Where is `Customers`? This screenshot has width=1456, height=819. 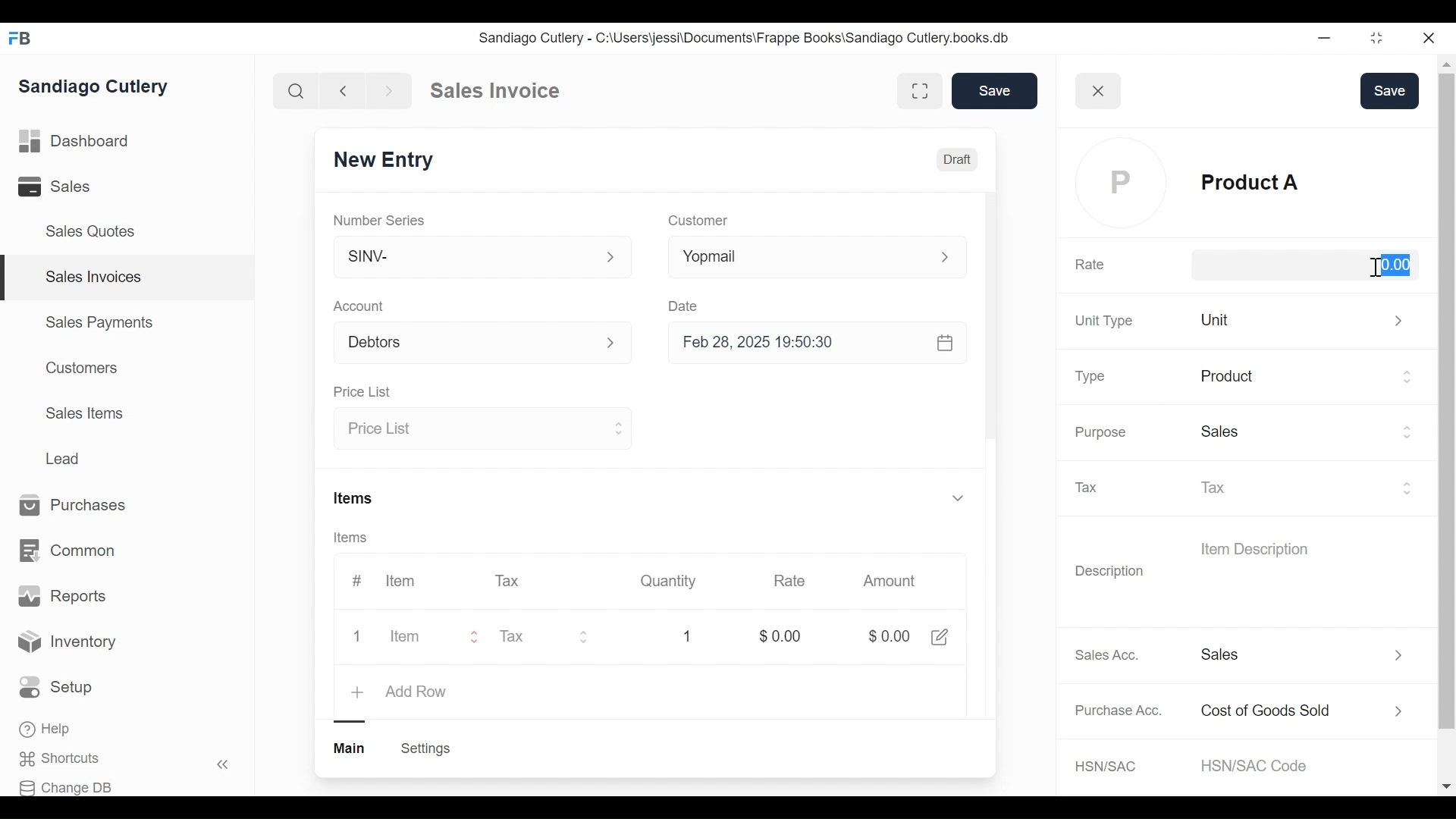
Customers is located at coordinates (78, 368).